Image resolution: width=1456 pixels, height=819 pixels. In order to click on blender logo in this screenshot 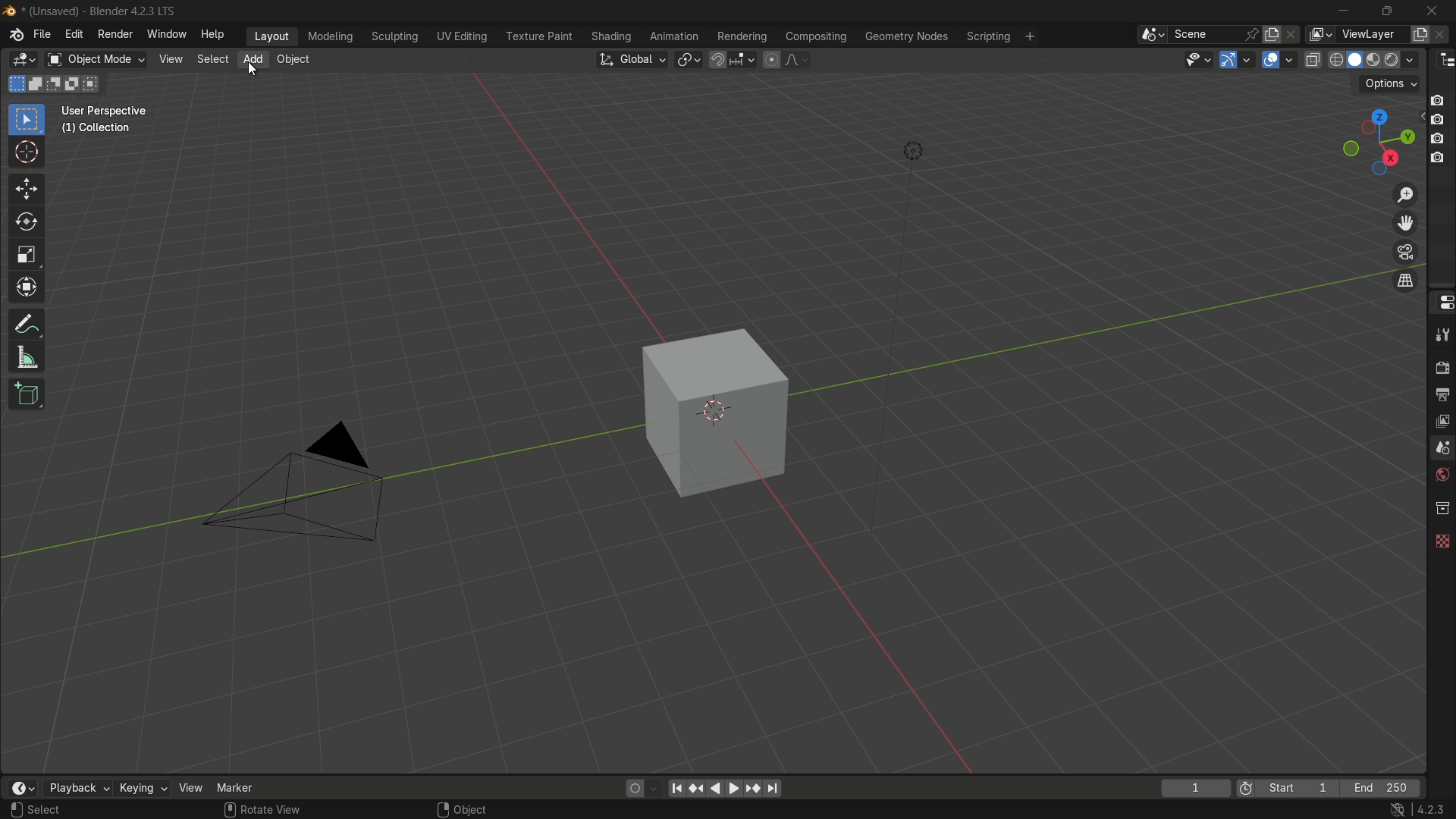, I will do `click(11, 11)`.